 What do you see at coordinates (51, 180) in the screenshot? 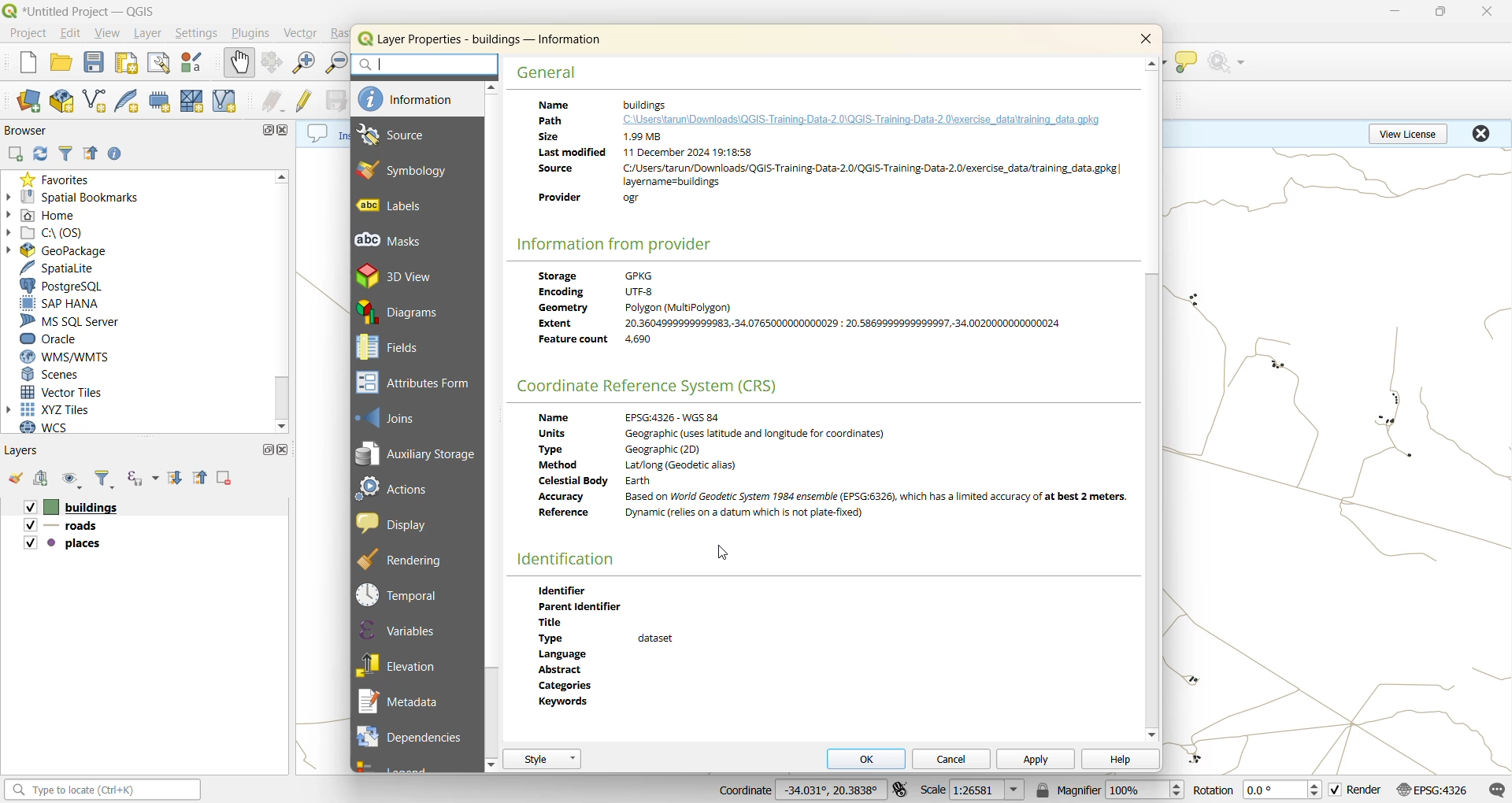
I see `favorites` at bounding box center [51, 180].